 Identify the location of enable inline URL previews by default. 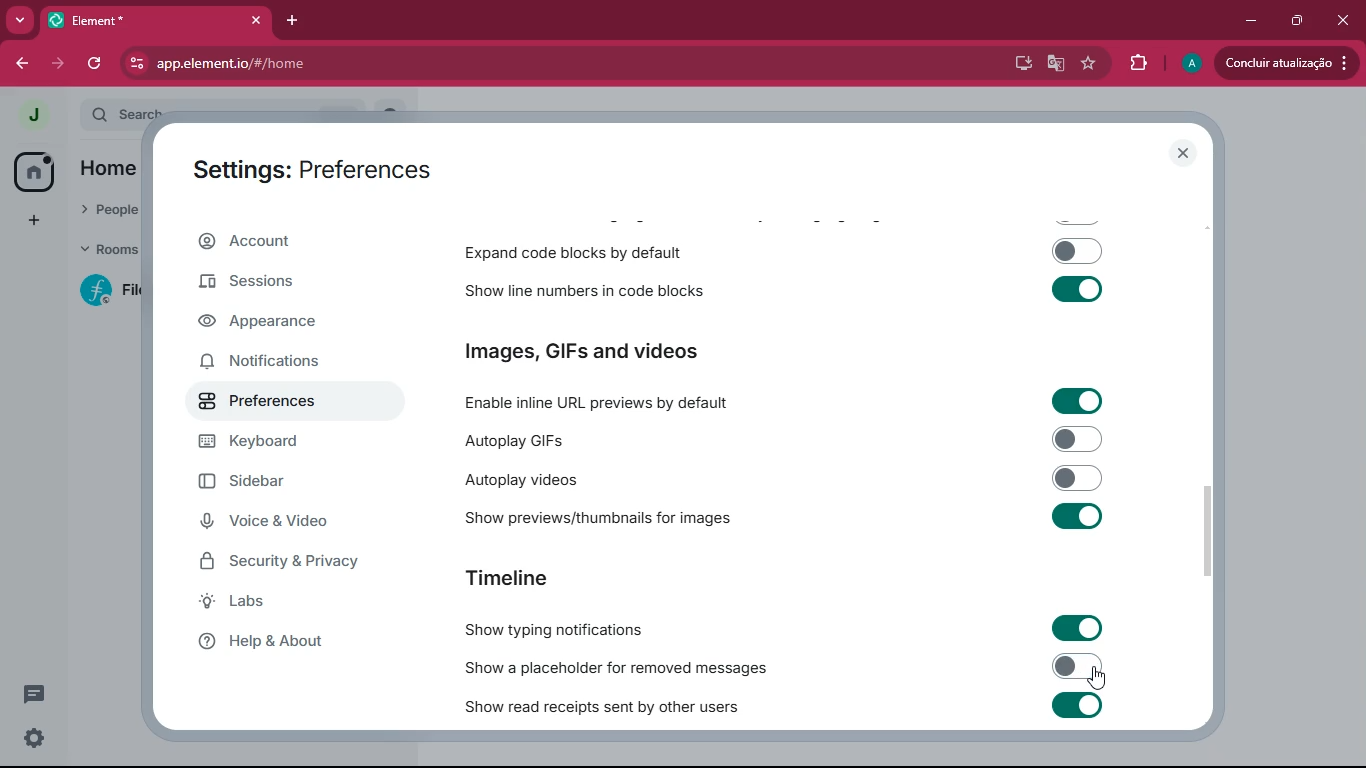
(628, 402).